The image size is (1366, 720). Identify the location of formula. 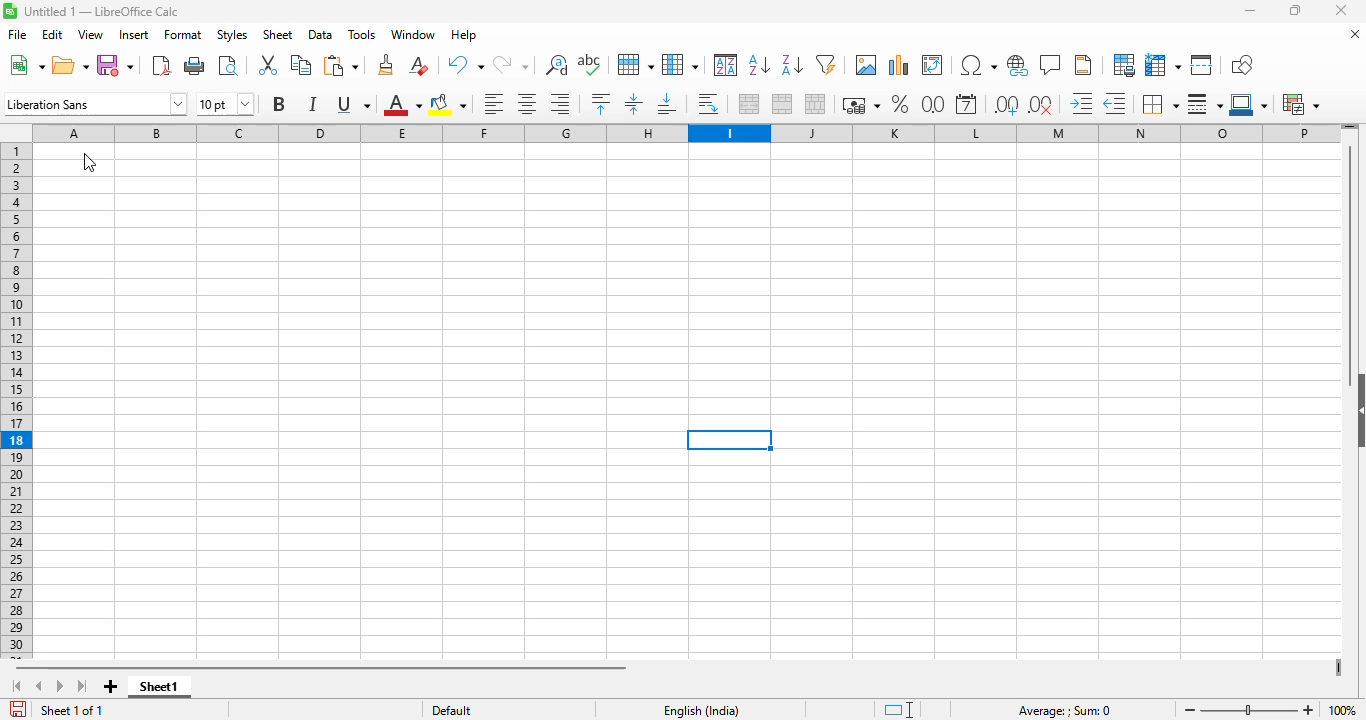
(1065, 711).